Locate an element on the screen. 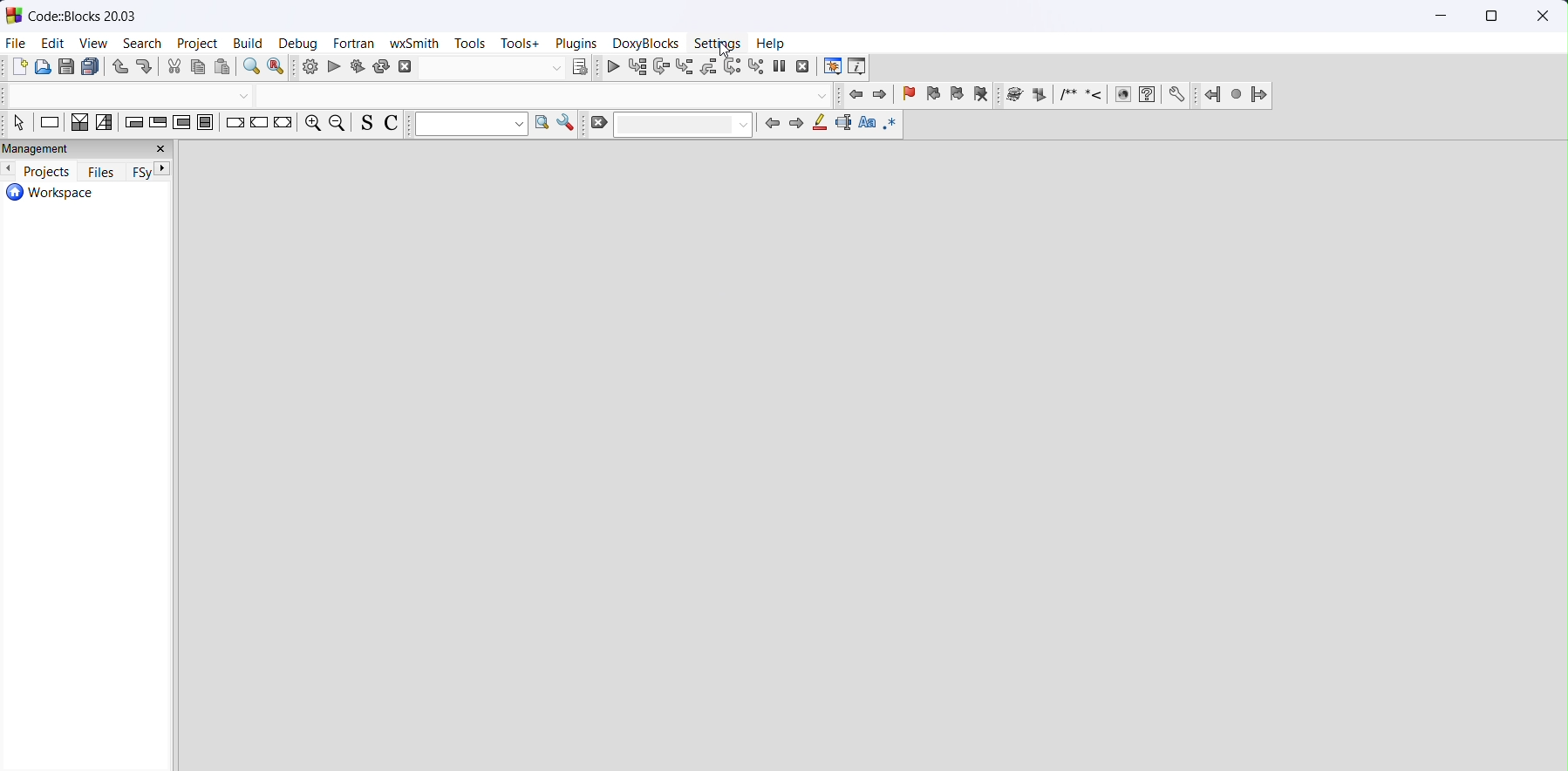 This screenshot has height=771, width=1568. stop debugger is located at coordinates (802, 67).